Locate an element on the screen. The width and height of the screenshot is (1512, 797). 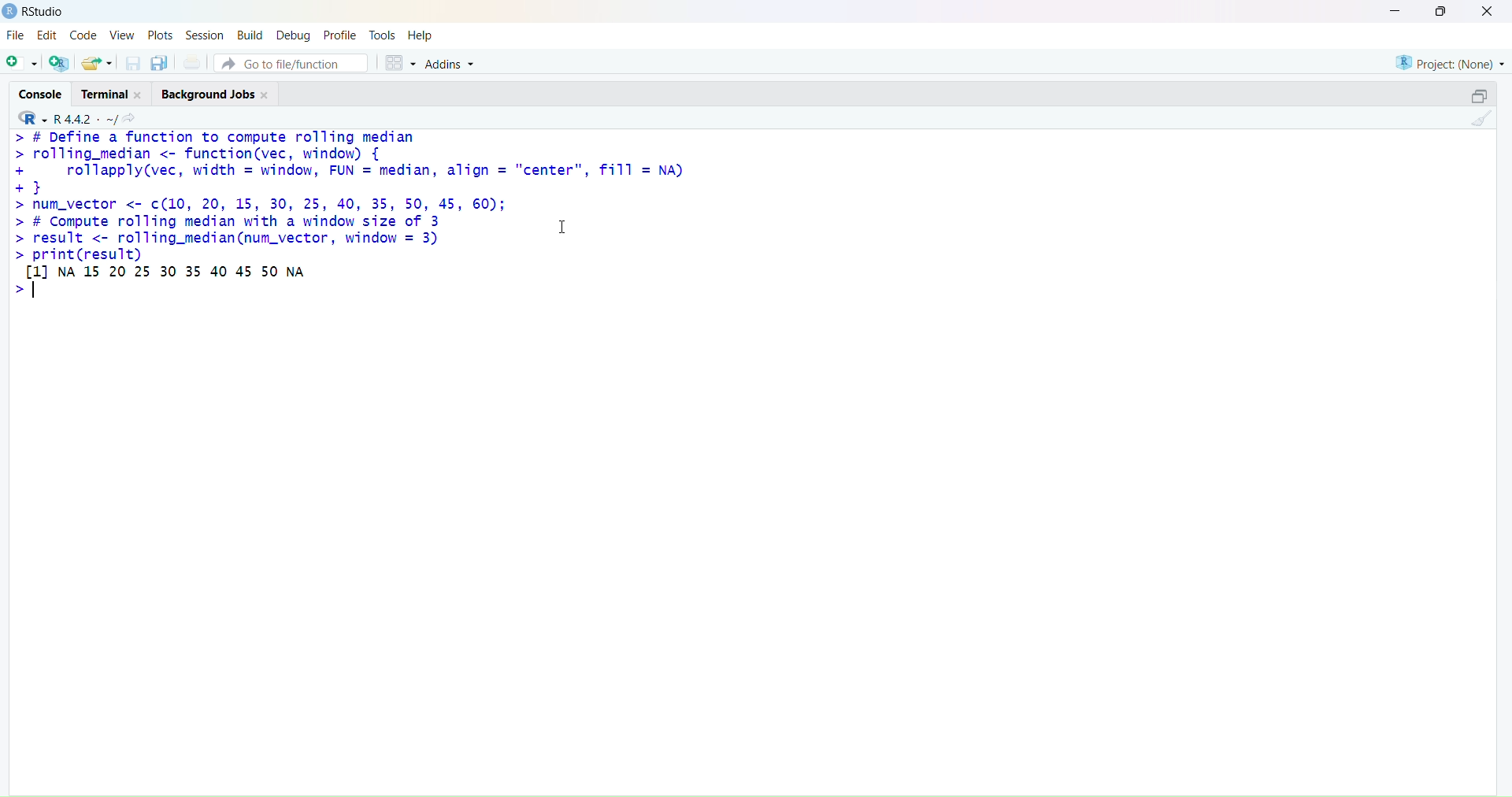
console is located at coordinates (41, 95).